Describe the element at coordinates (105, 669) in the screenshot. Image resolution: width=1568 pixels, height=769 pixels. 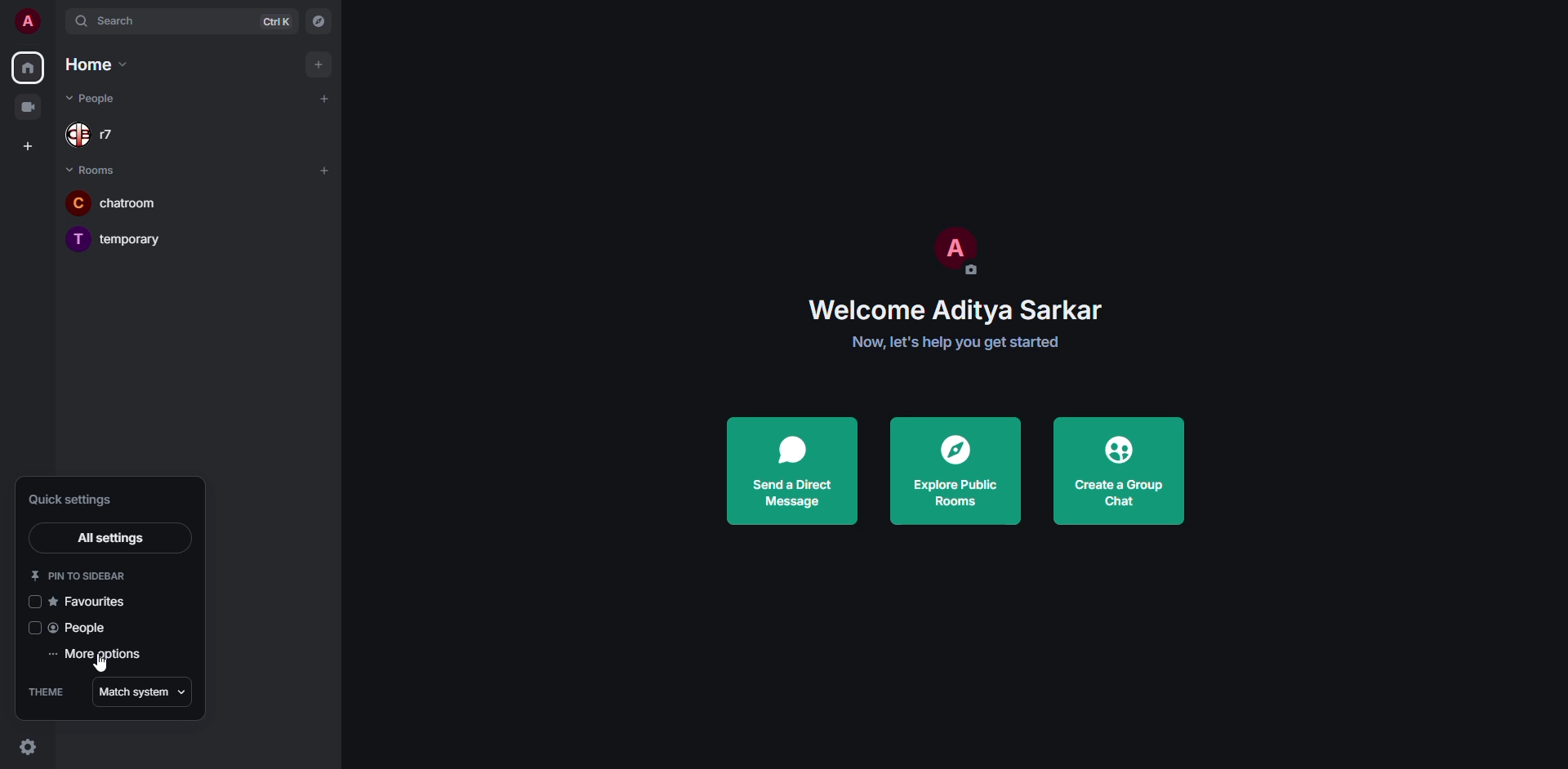
I see `cursor` at that location.